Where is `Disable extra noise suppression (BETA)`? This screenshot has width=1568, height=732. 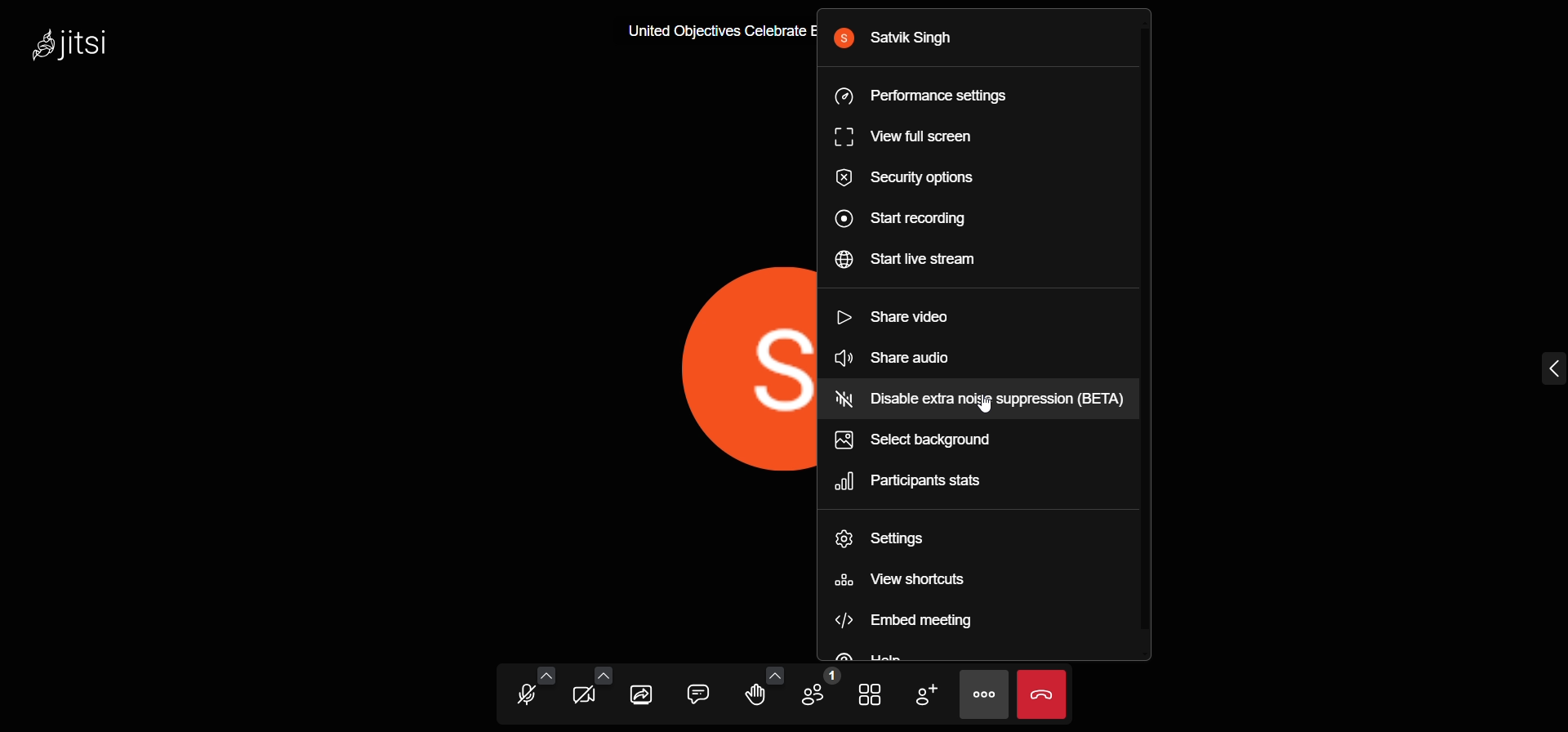
Disable extra noise suppression (BETA) is located at coordinates (984, 396).